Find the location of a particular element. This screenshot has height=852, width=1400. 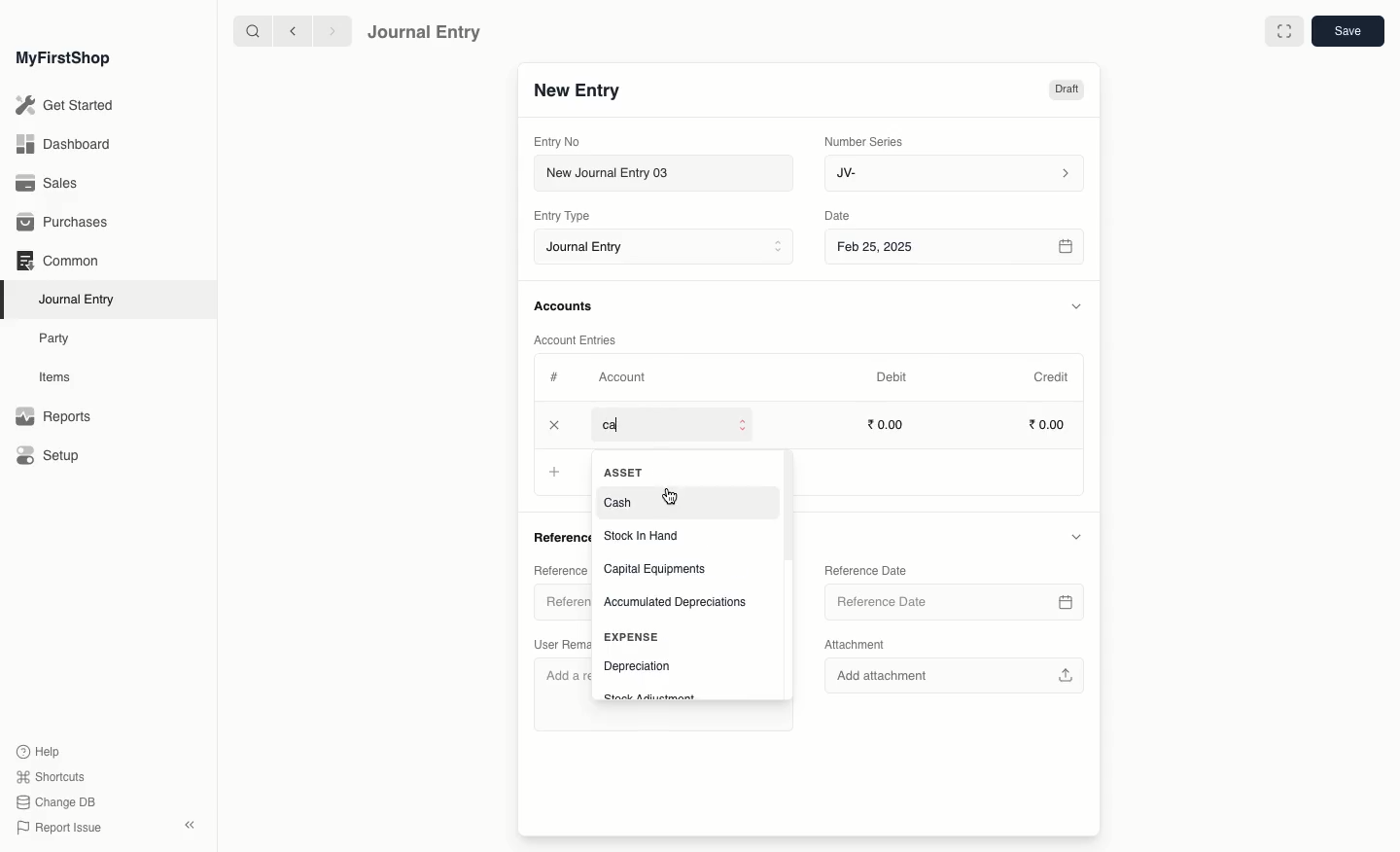

Ca is located at coordinates (619, 425).